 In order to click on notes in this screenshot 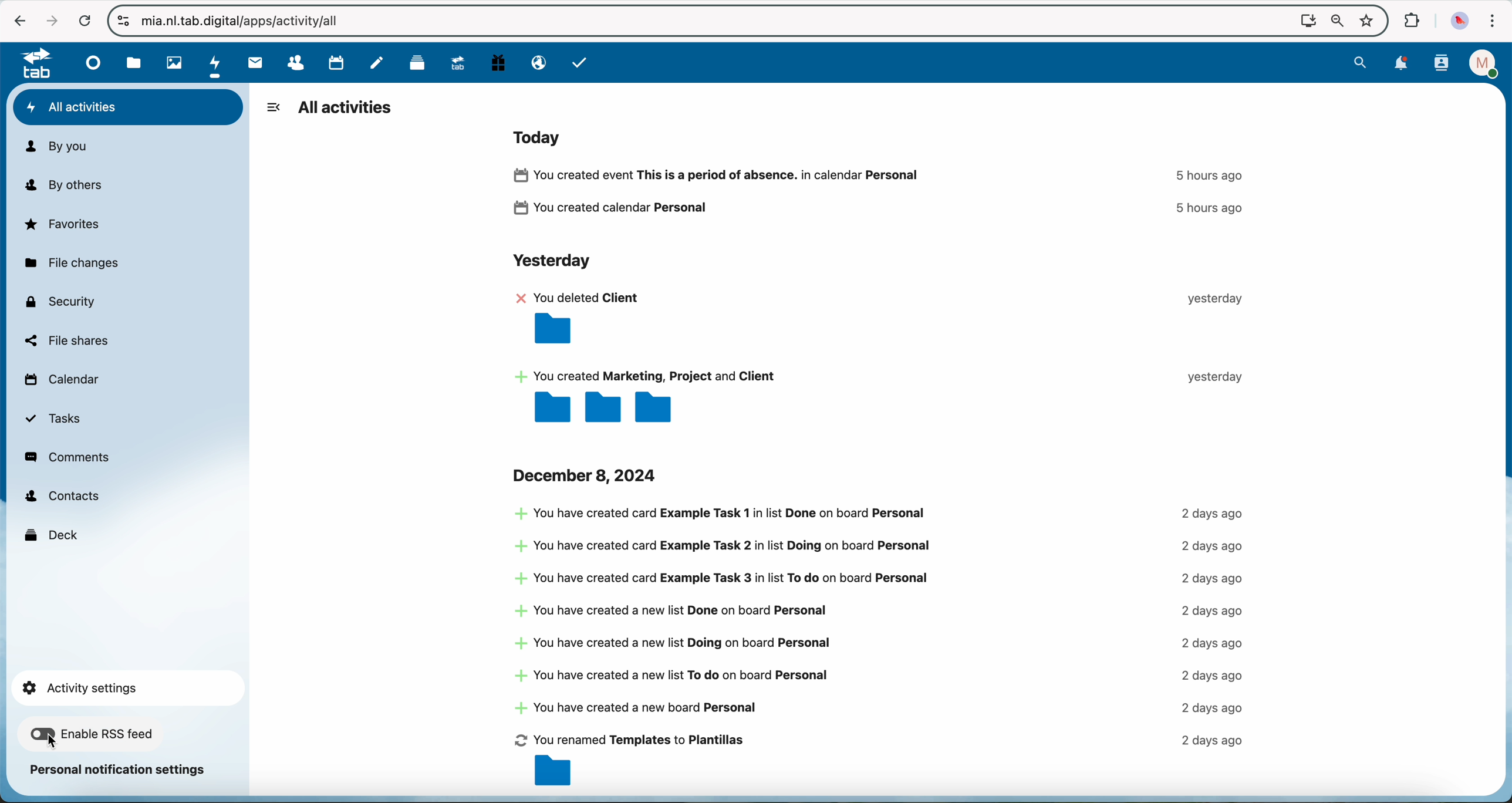, I will do `click(379, 62)`.